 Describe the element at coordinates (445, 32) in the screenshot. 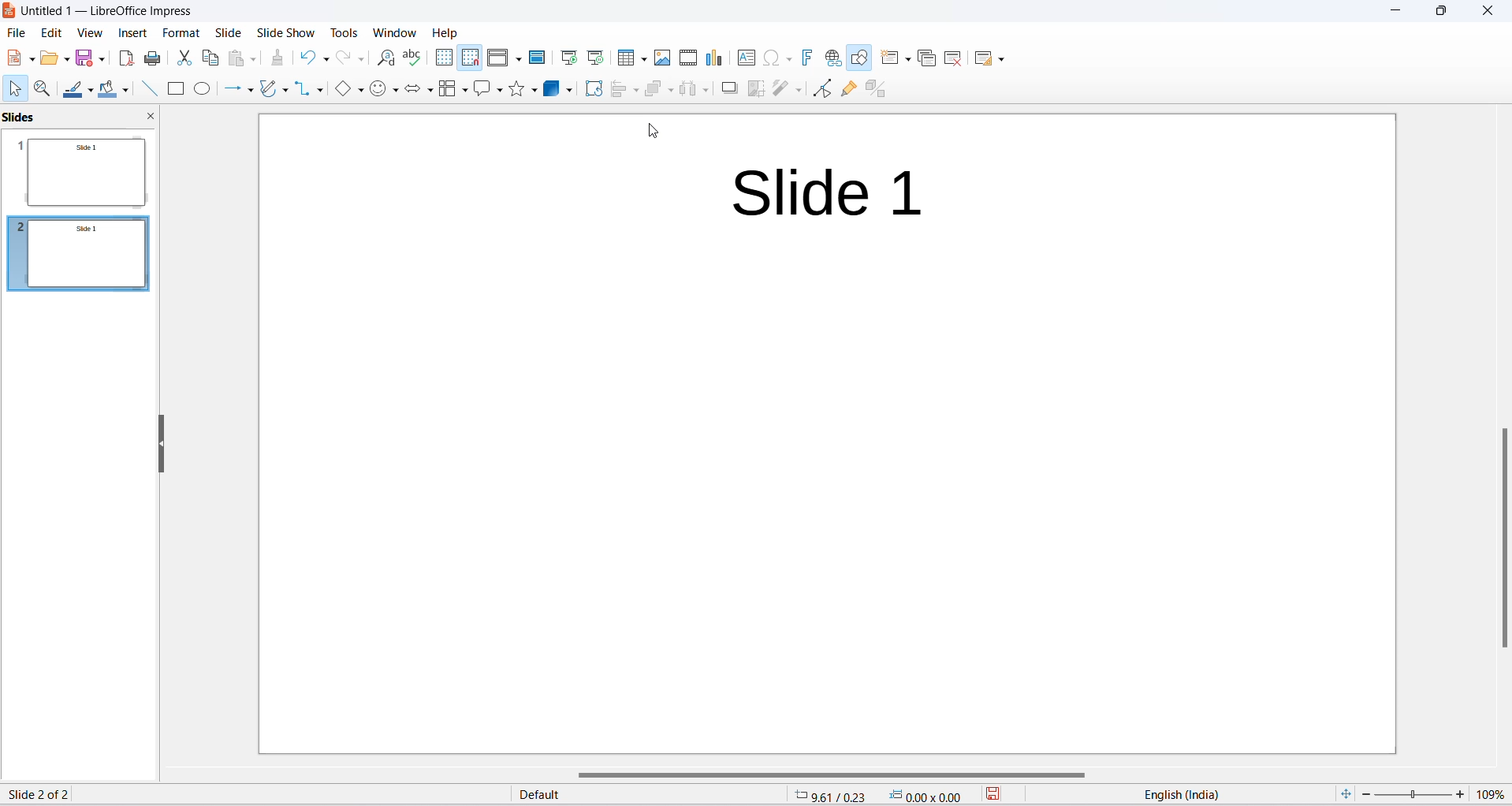

I see `Help` at that location.